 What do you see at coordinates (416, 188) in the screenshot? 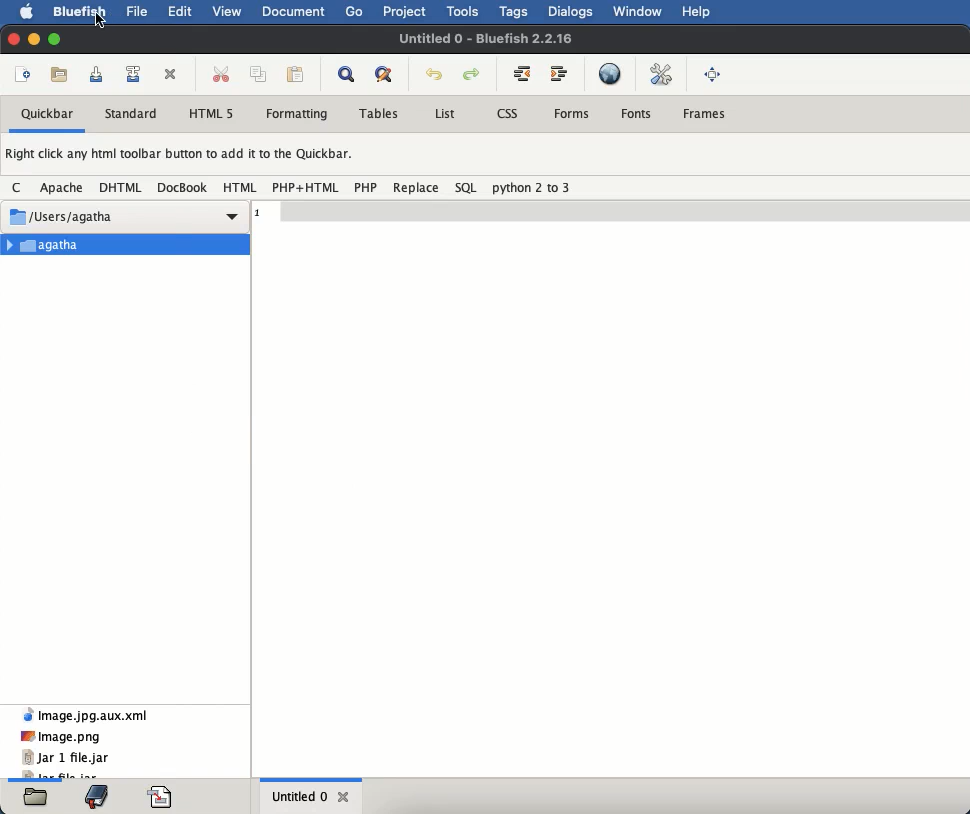
I see `replace` at bounding box center [416, 188].